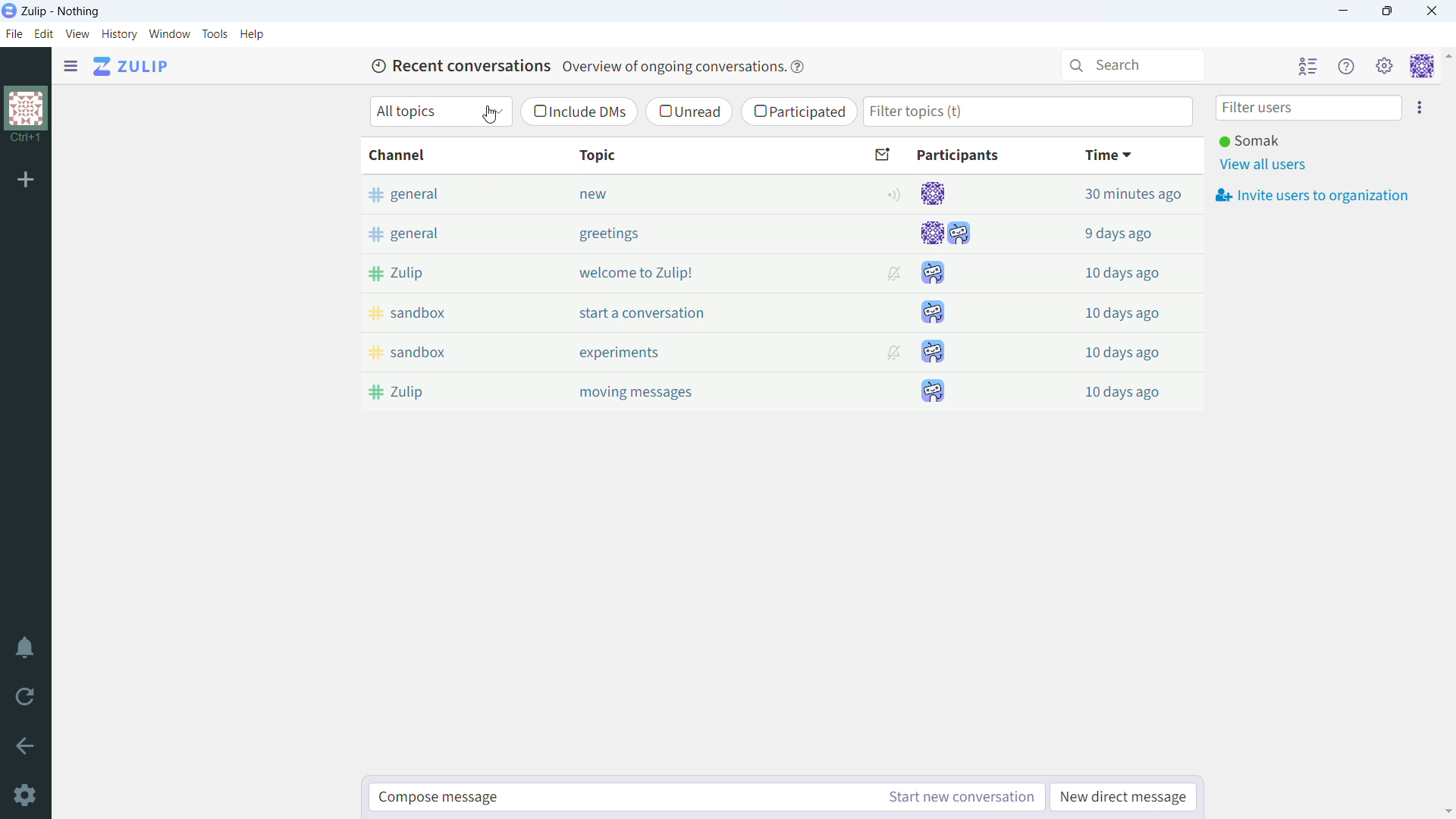 The width and height of the screenshot is (1456, 819). I want to click on scroll down, so click(1447, 811).